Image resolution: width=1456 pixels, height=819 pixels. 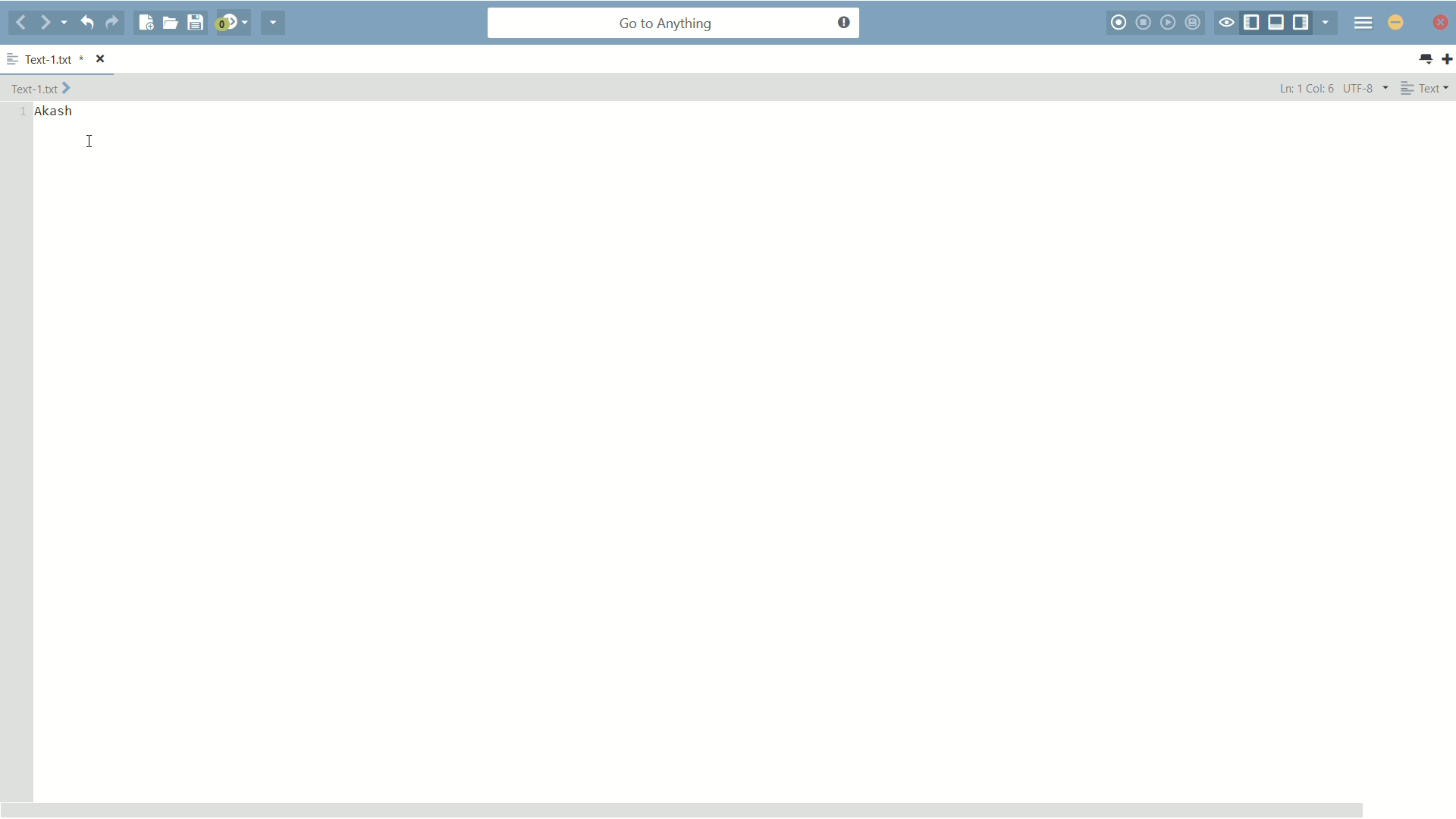 I want to click on minimize, so click(x=1395, y=24).